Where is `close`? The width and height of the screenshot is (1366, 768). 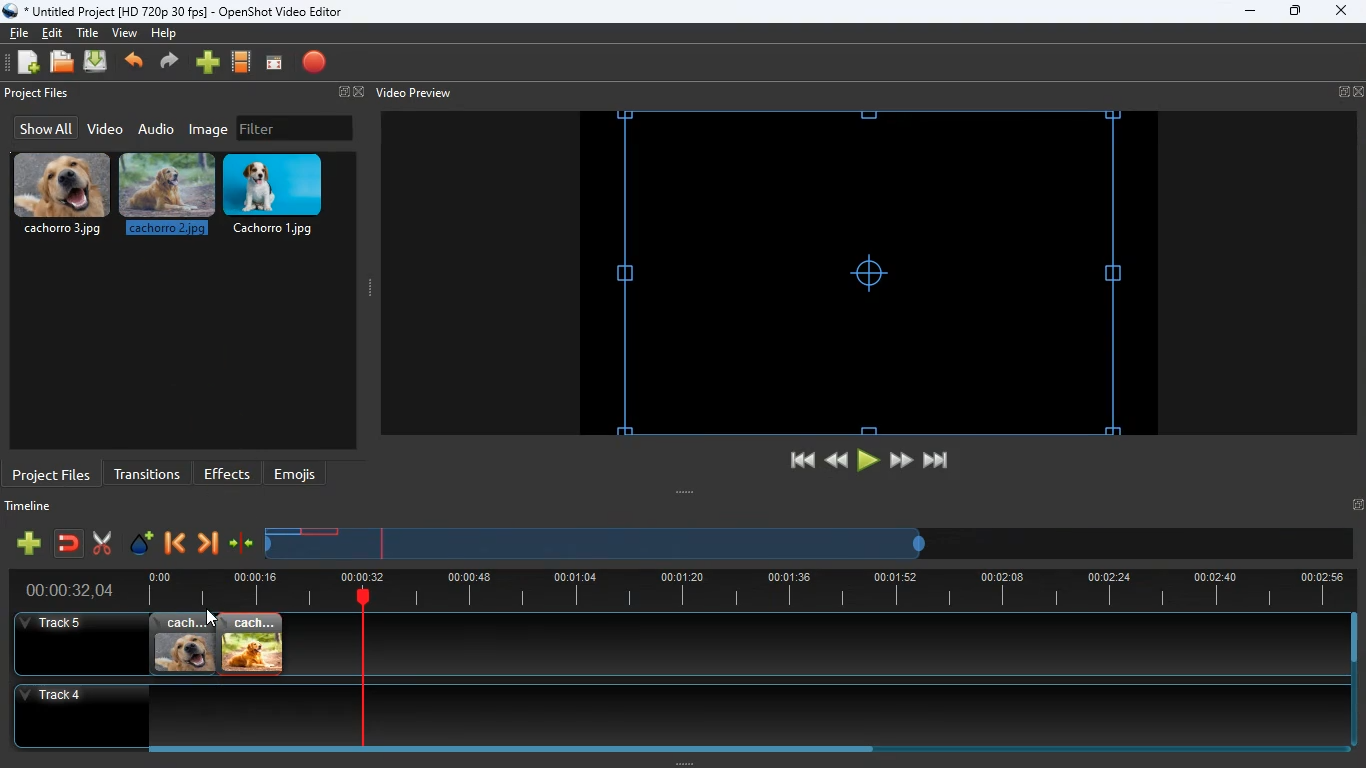 close is located at coordinates (1340, 12).